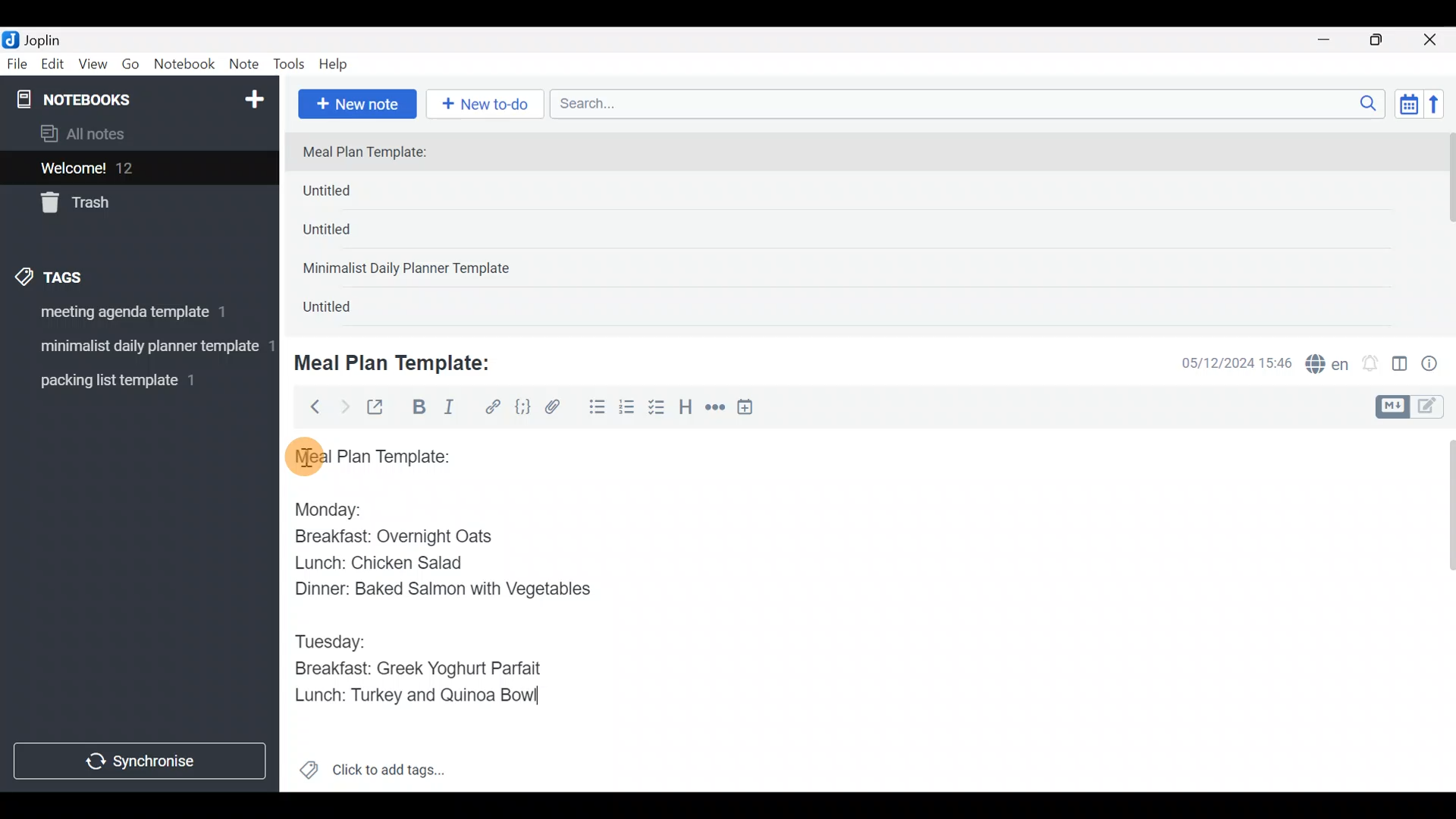 Image resolution: width=1456 pixels, height=819 pixels. I want to click on Meal plan template, so click(367, 454).